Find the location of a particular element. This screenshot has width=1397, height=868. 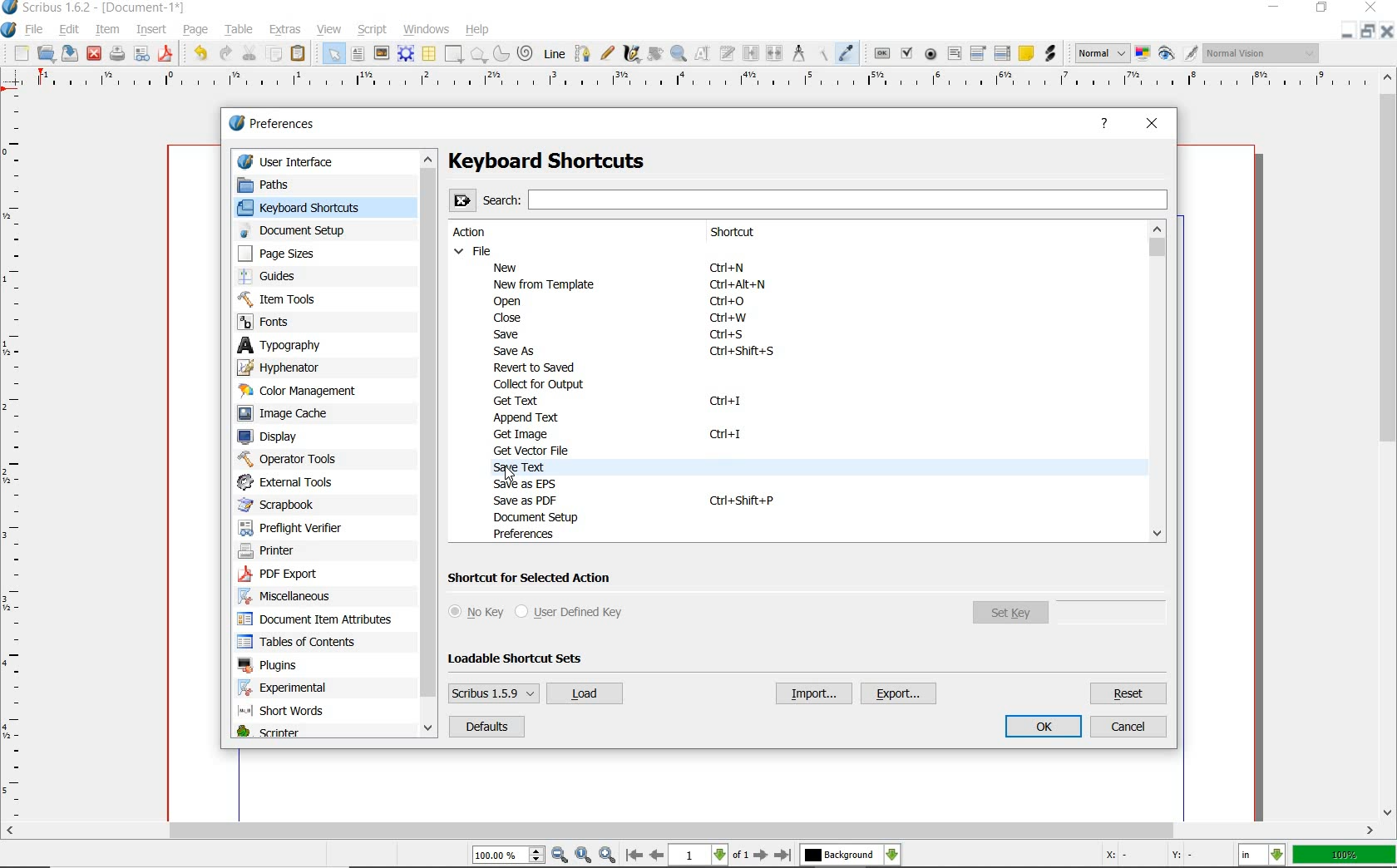

scrollbar is located at coordinates (1158, 382).